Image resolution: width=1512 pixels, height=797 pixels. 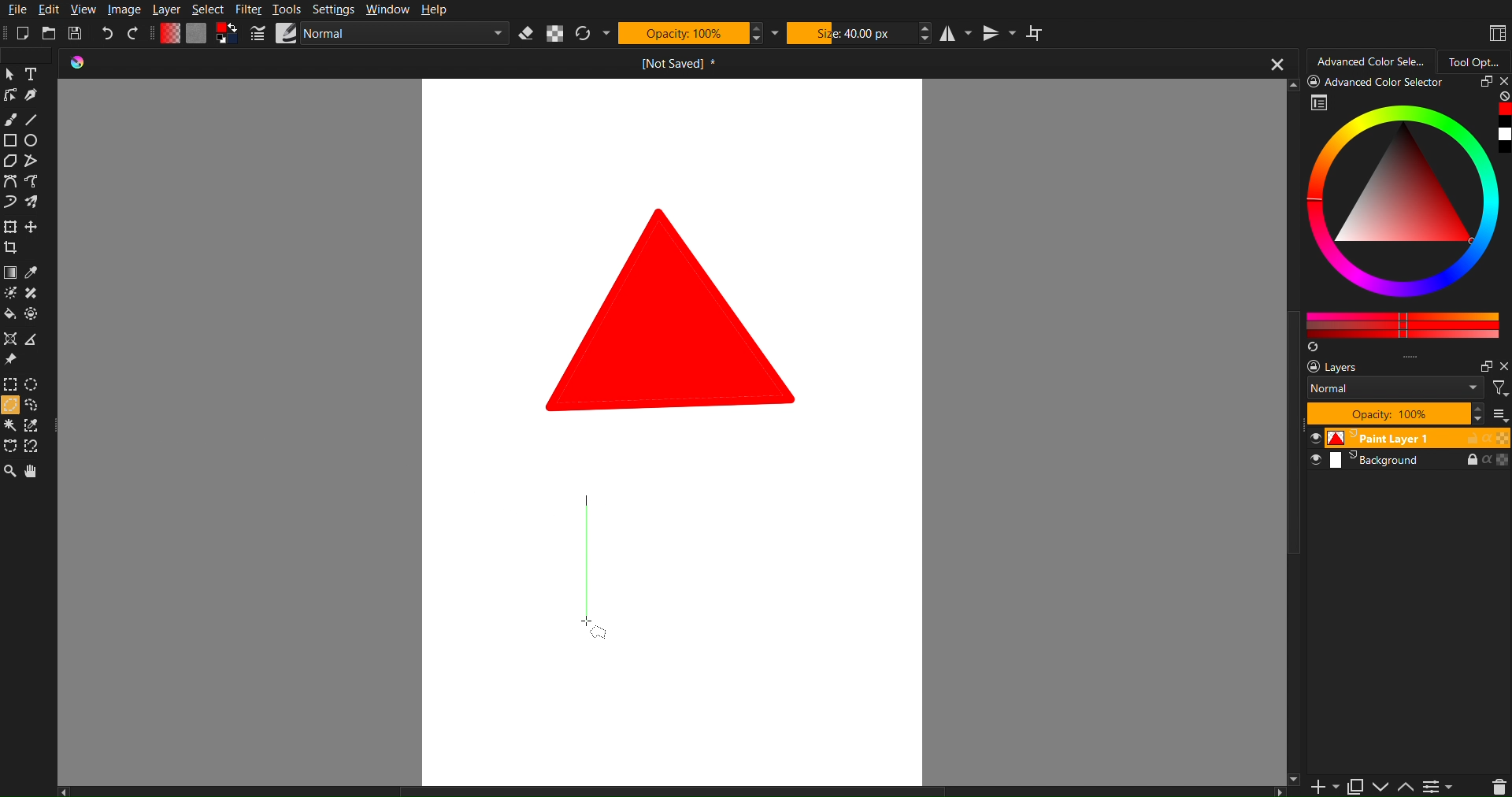 I want to click on Curve, so click(x=9, y=204).